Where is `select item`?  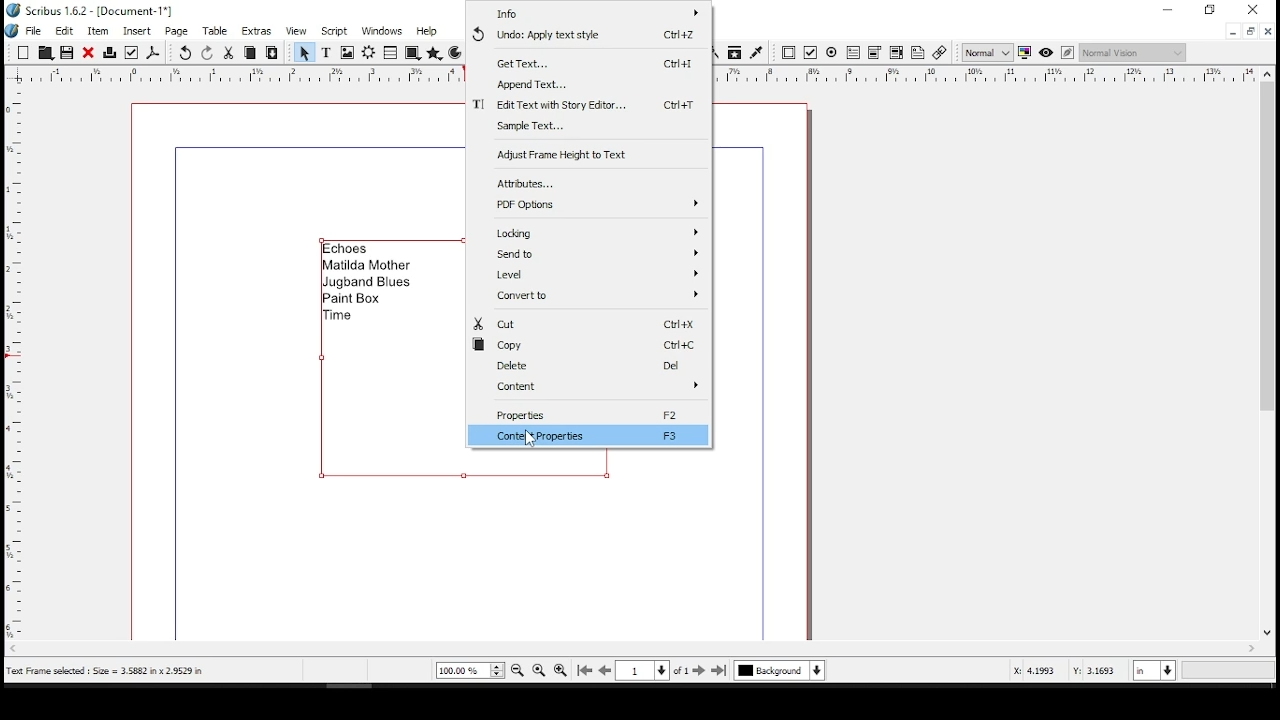 select item is located at coordinates (304, 52).